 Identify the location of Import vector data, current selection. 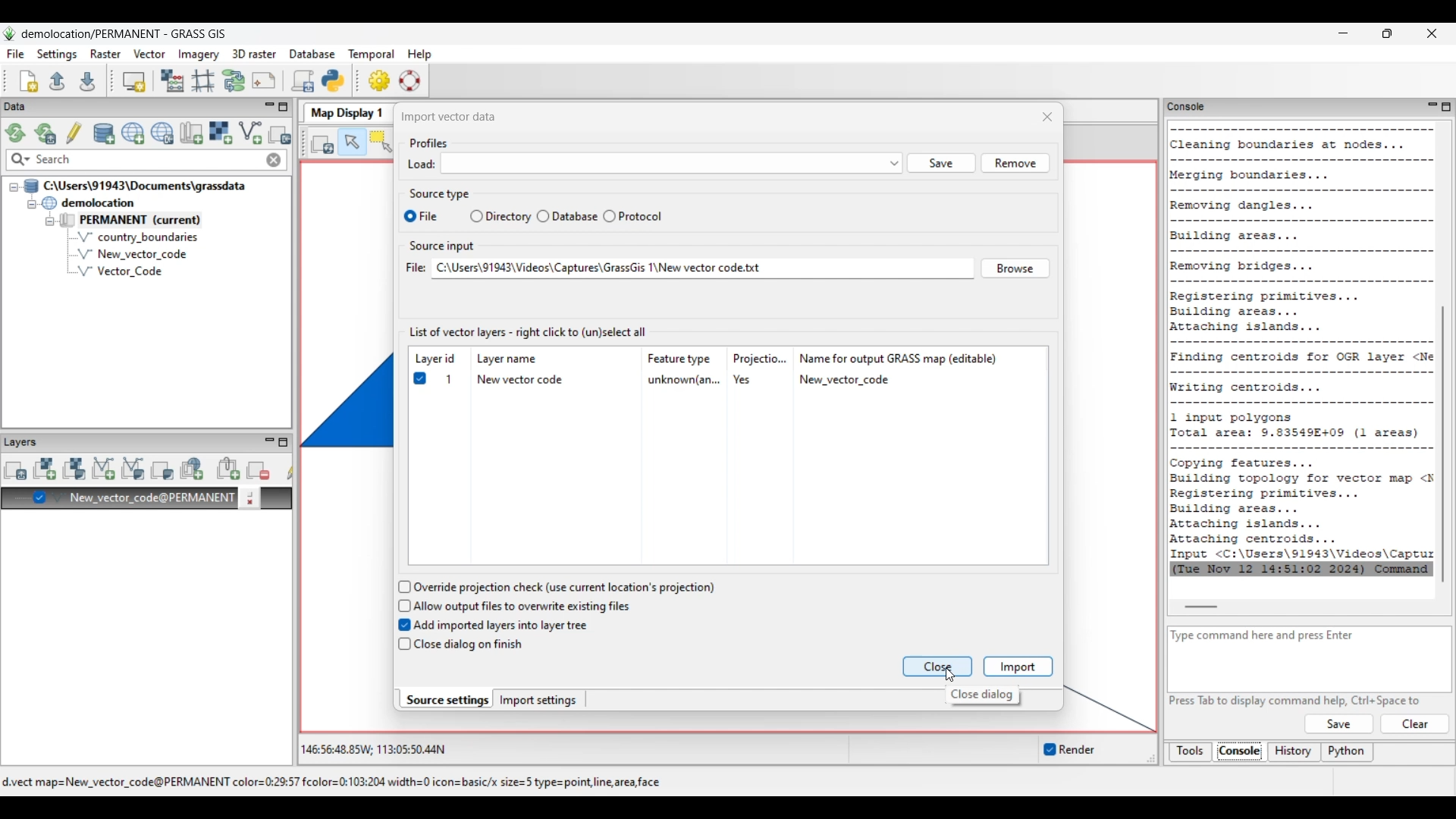
(250, 133).